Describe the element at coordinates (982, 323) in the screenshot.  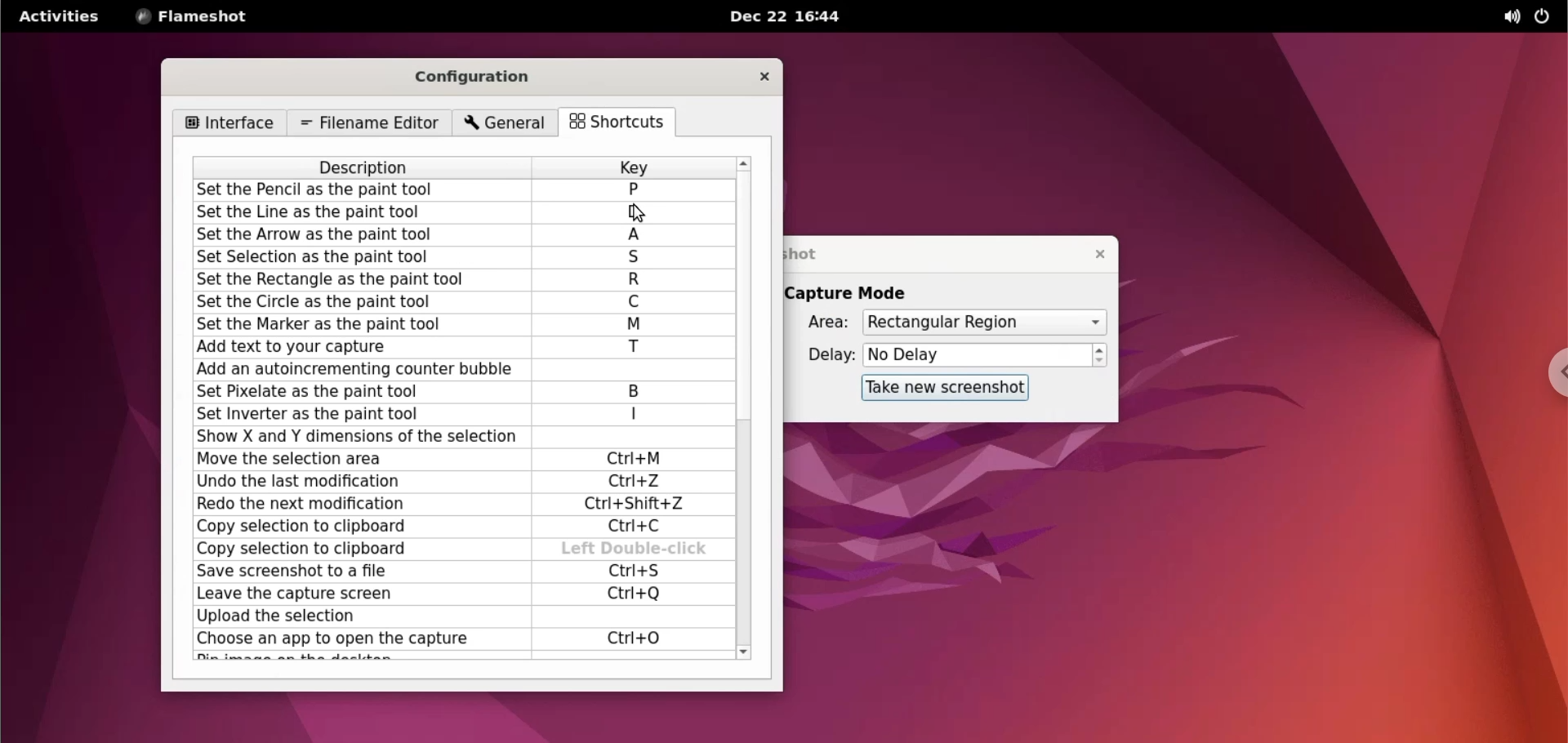
I see `capture area options` at that location.